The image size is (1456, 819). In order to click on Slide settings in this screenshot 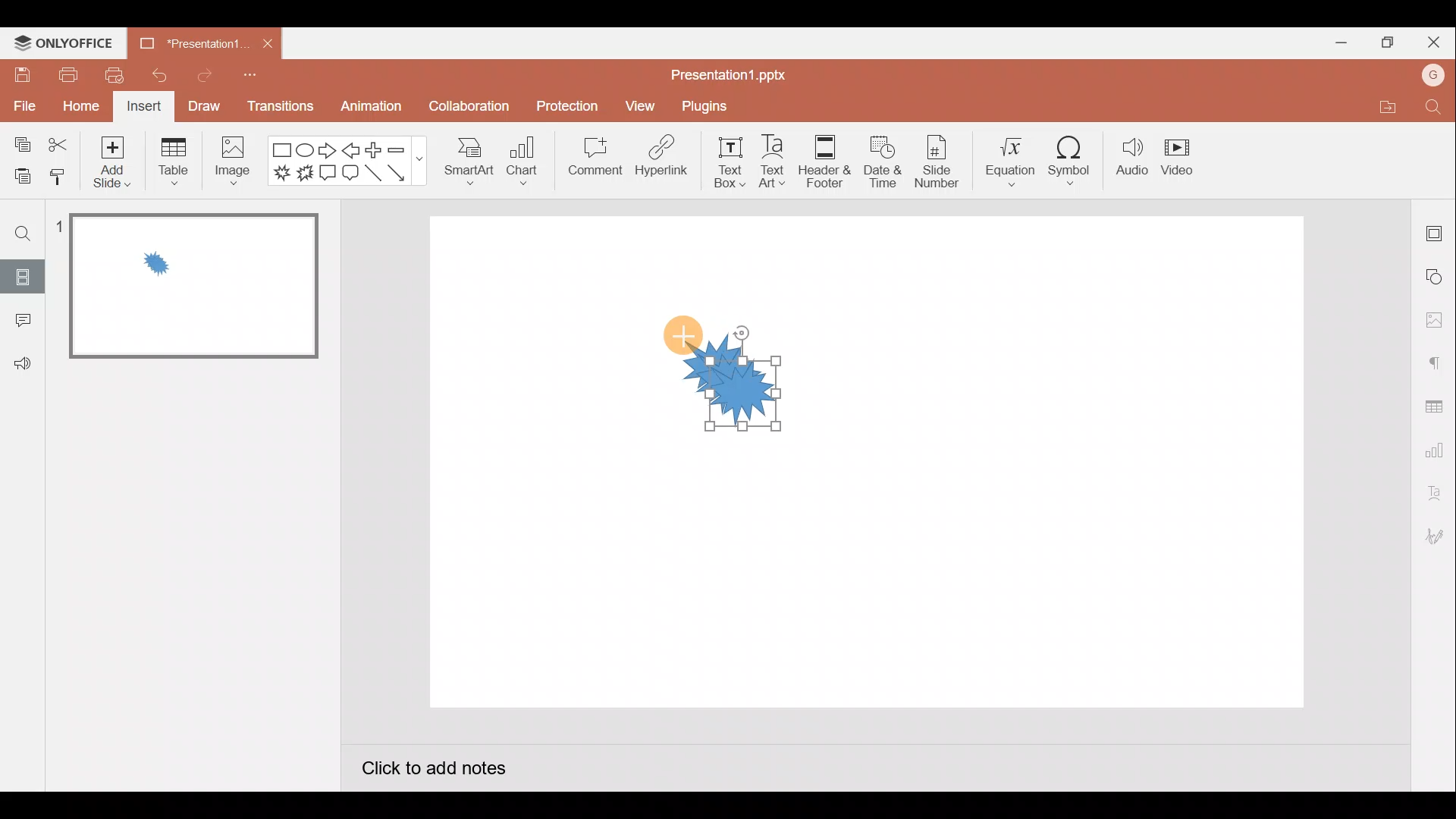, I will do `click(1436, 229)`.